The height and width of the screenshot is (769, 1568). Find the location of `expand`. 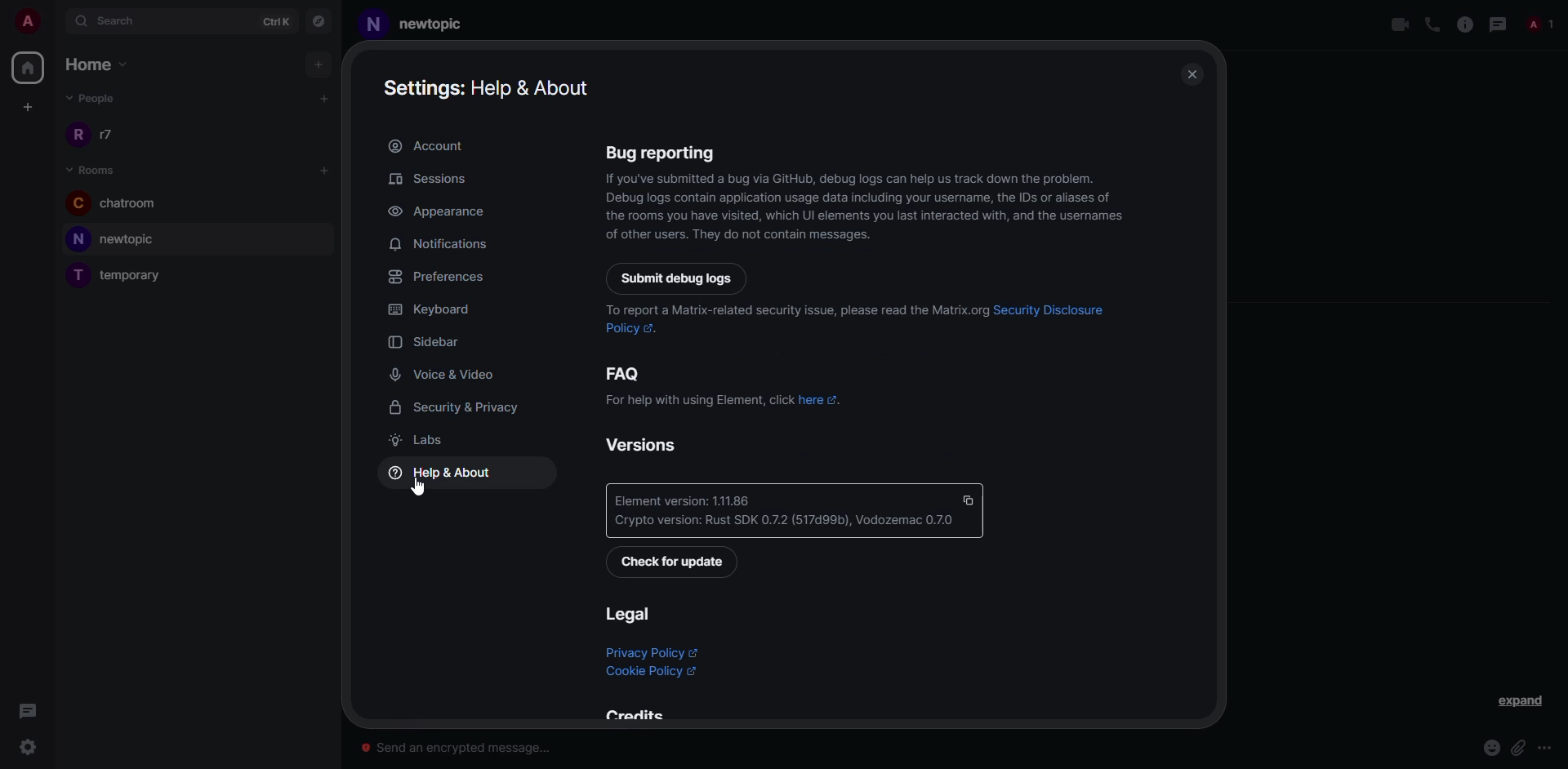

expand is located at coordinates (1517, 701).